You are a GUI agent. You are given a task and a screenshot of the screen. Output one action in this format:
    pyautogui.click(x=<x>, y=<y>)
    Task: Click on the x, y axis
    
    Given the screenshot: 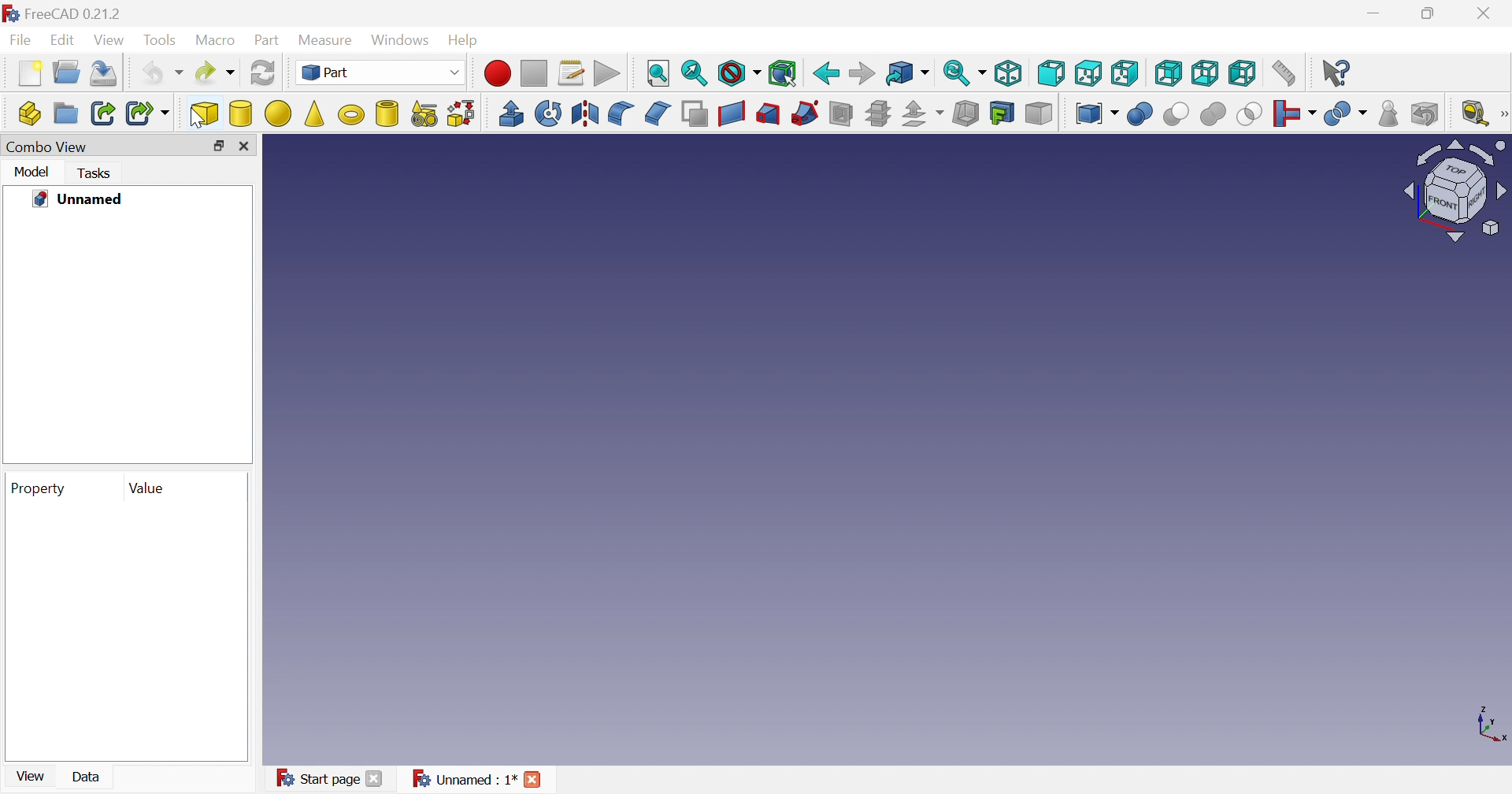 What is the action you would take?
    pyautogui.click(x=1488, y=726)
    